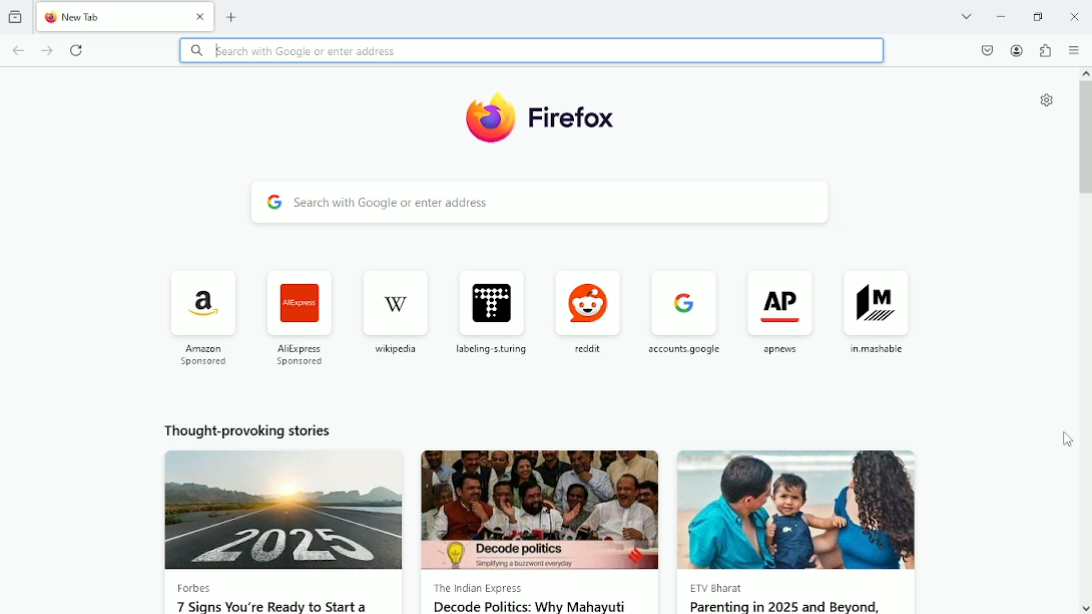 This screenshot has width=1092, height=614. Describe the element at coordinates (543, 197) in the screenshot. I see `search with google enter address` at that location.